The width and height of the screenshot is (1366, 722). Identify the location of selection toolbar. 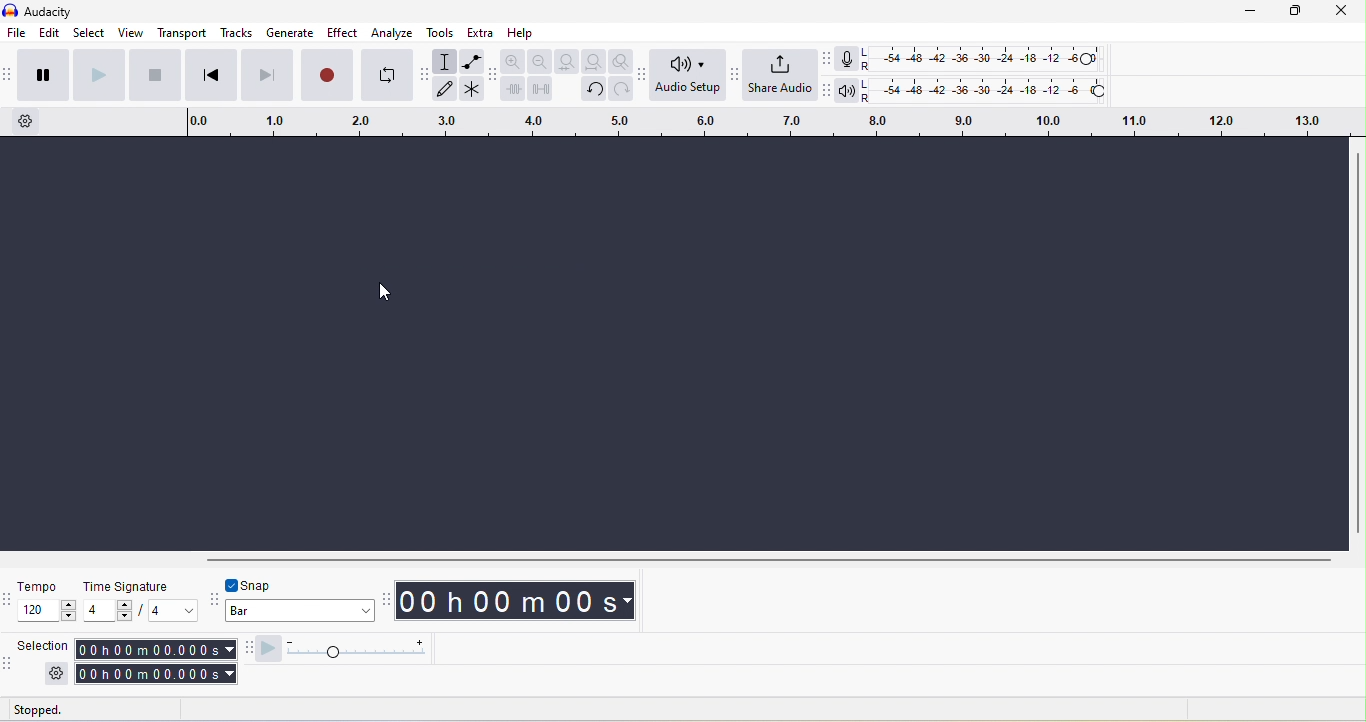
(8, 668).